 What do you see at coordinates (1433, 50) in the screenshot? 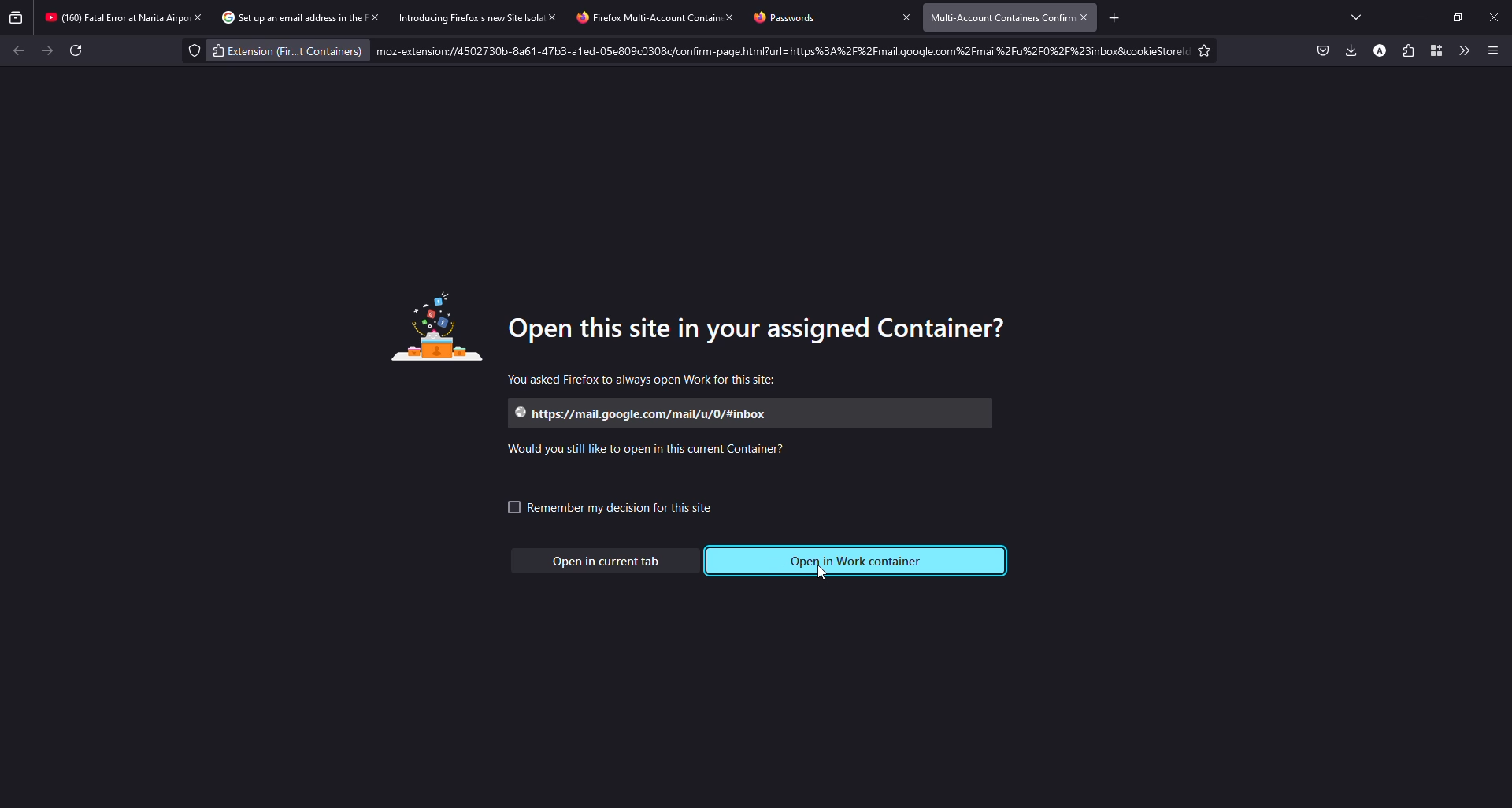
I see `container` at bounding box center [1433, 50].